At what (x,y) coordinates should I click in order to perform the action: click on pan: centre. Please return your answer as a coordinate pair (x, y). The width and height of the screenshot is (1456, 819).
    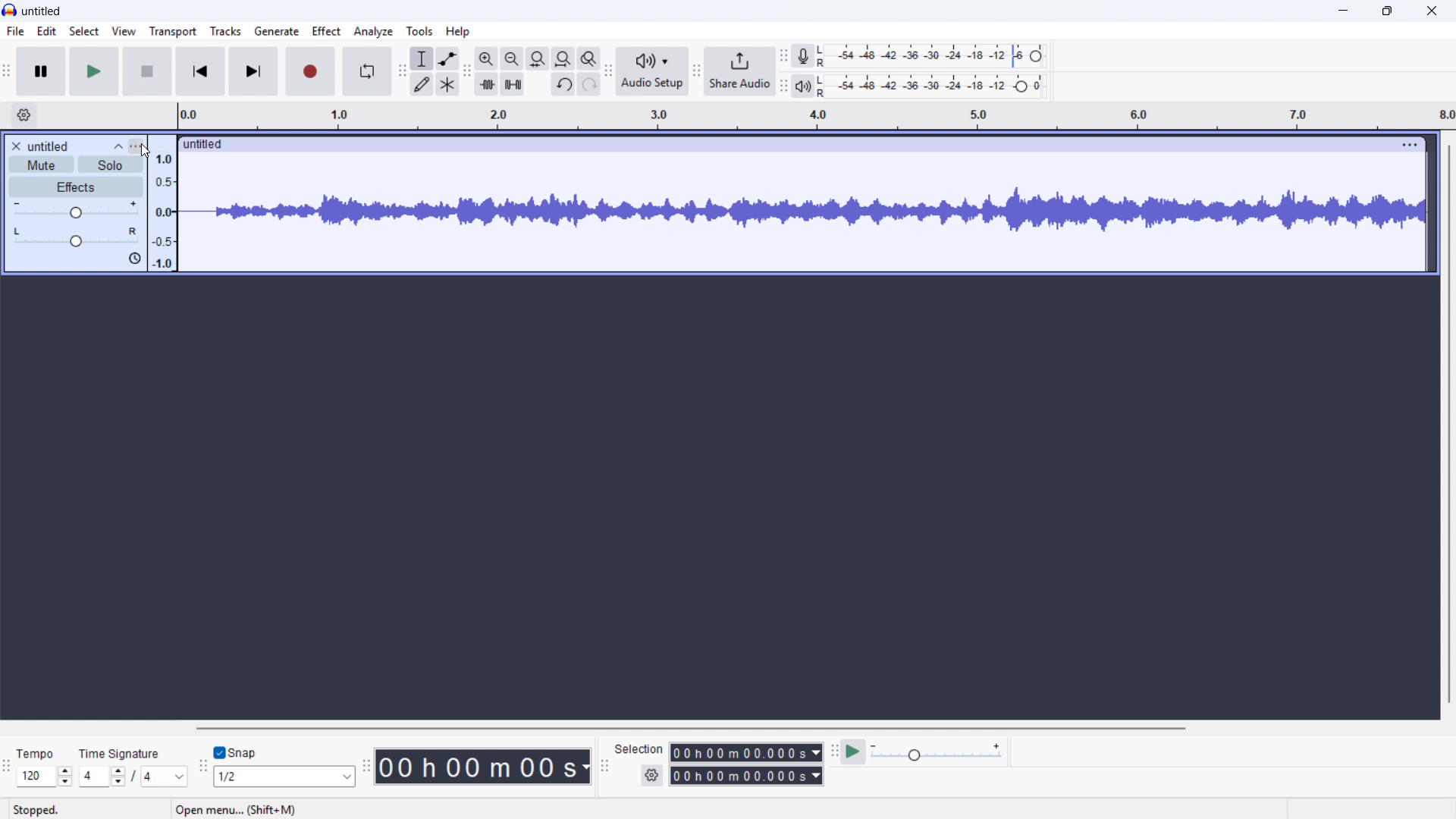
    Looking at the image, I should click on (77, 237).